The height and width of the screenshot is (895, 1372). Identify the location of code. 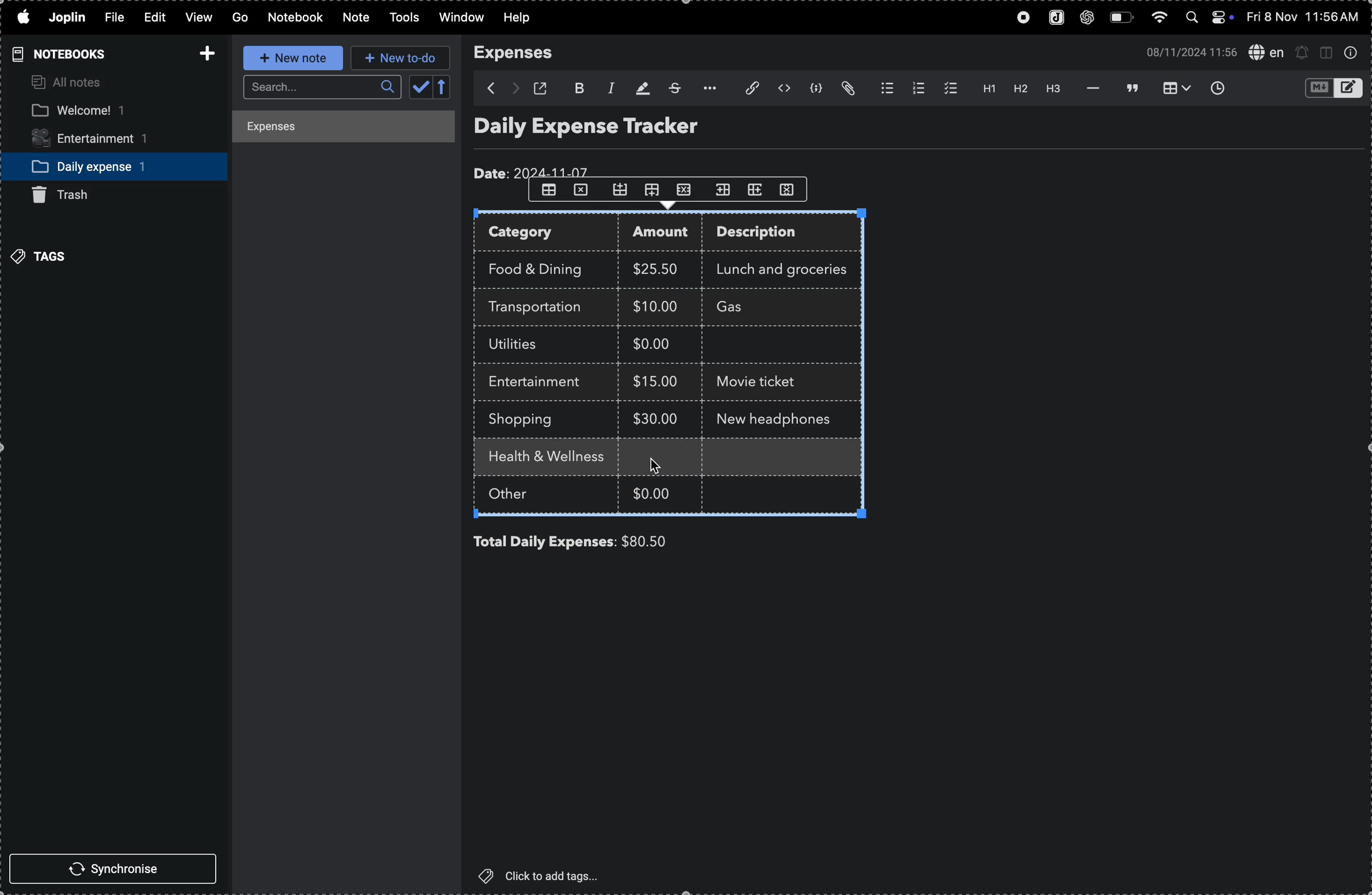
(817, 90).